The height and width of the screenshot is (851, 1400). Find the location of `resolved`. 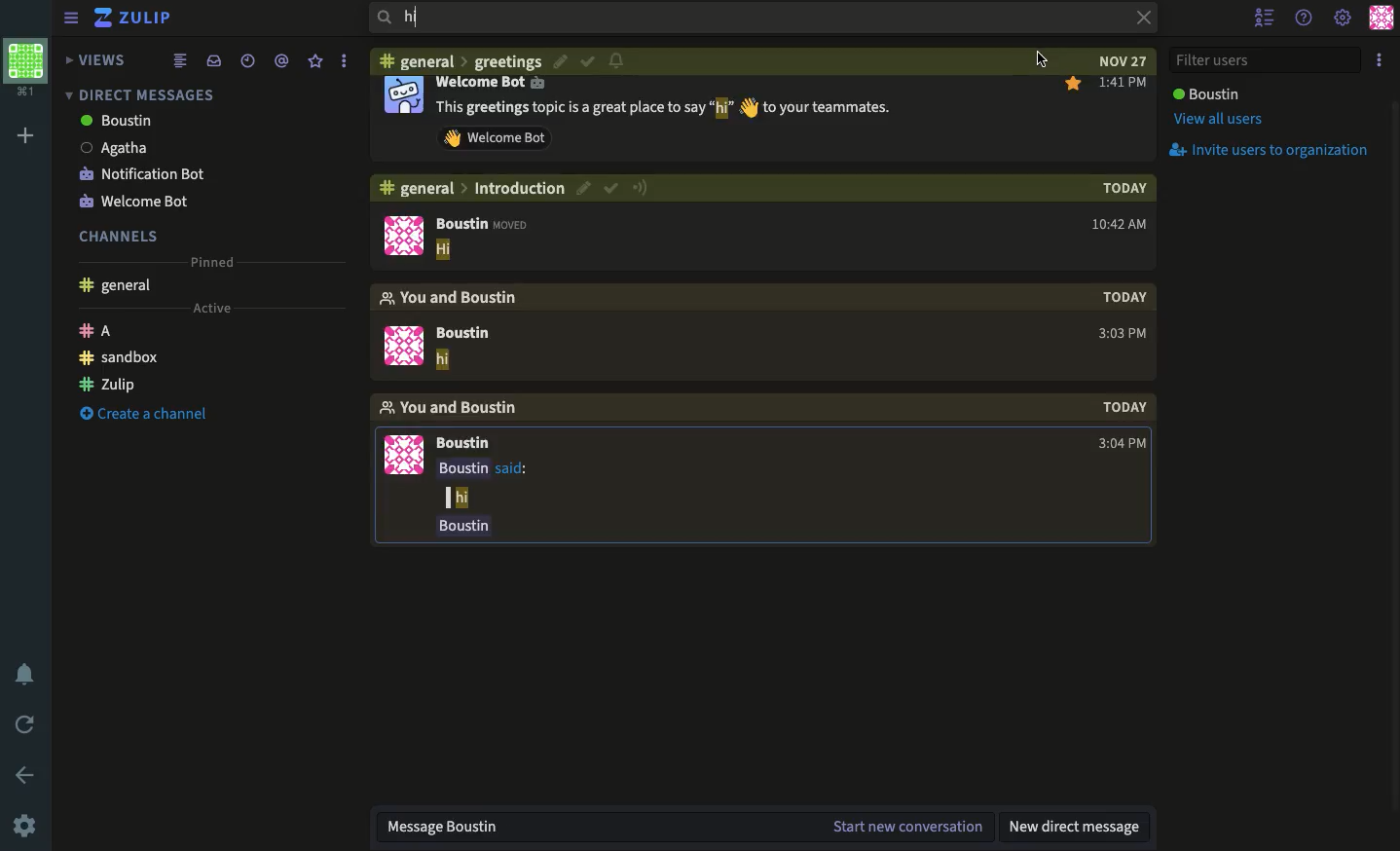

resolved is located at coordinates (587, 59).